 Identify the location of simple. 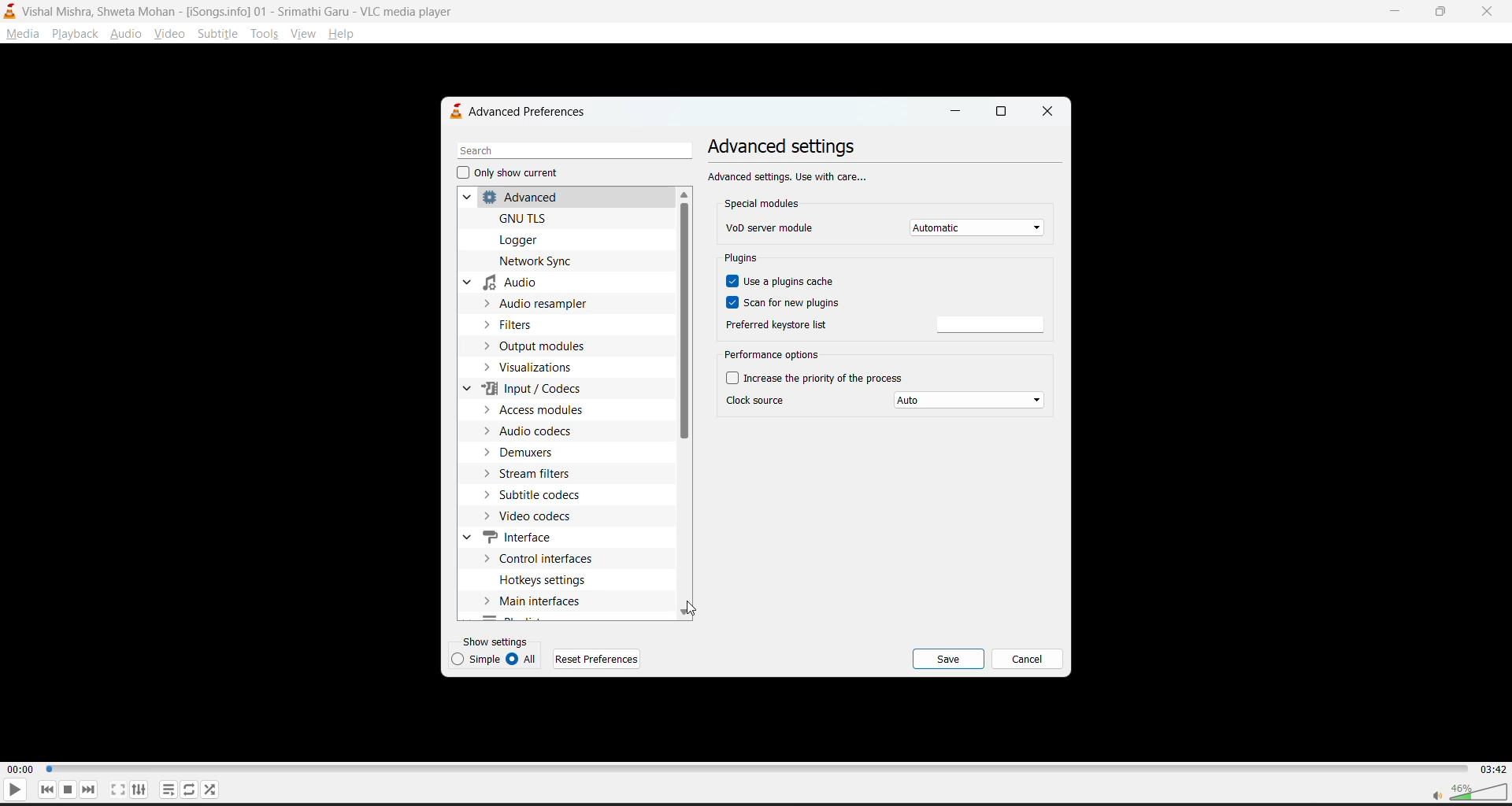
(472, 660).